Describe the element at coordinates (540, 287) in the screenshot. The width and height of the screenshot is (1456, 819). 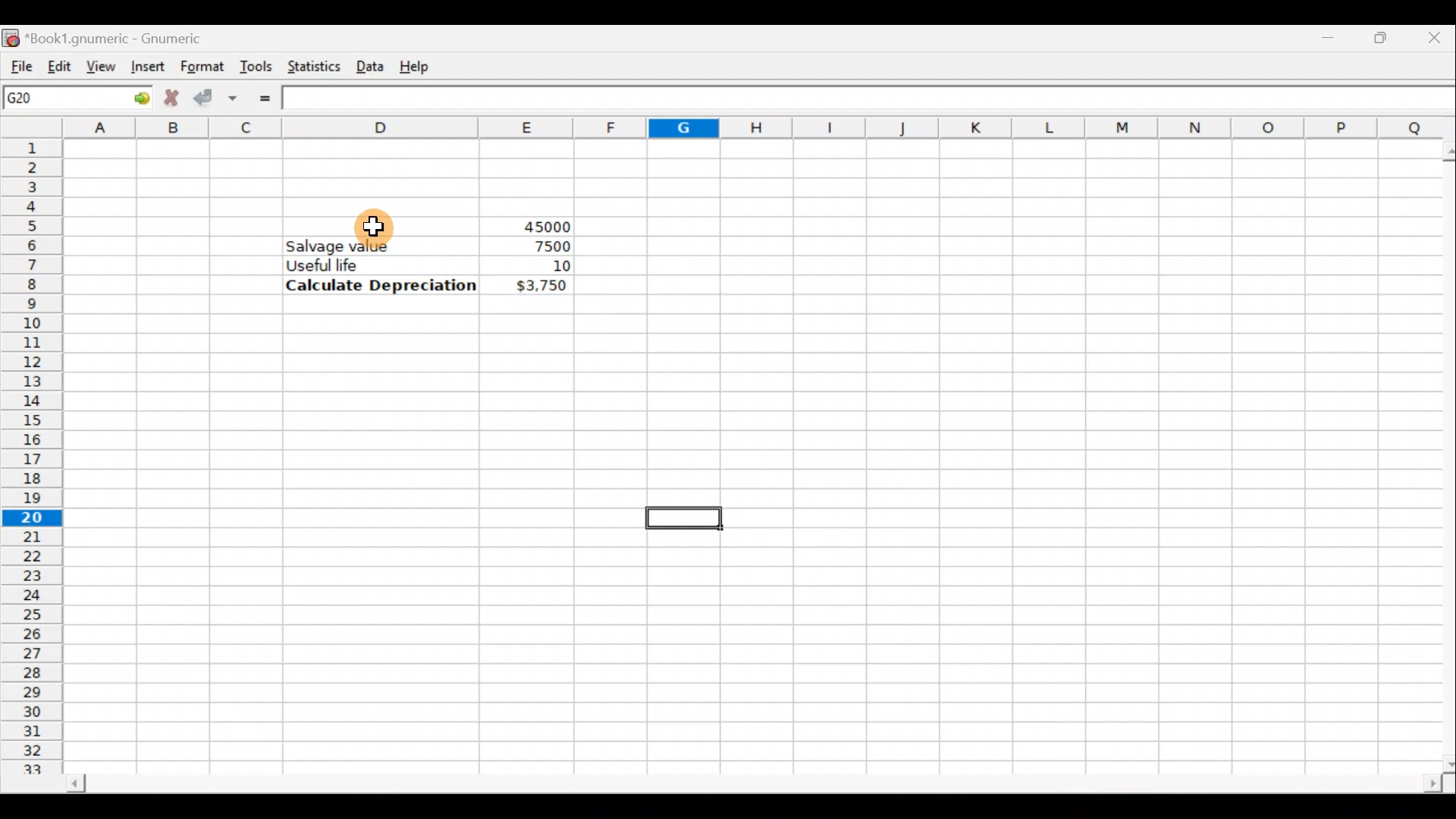
I see `$3,750` at that location.